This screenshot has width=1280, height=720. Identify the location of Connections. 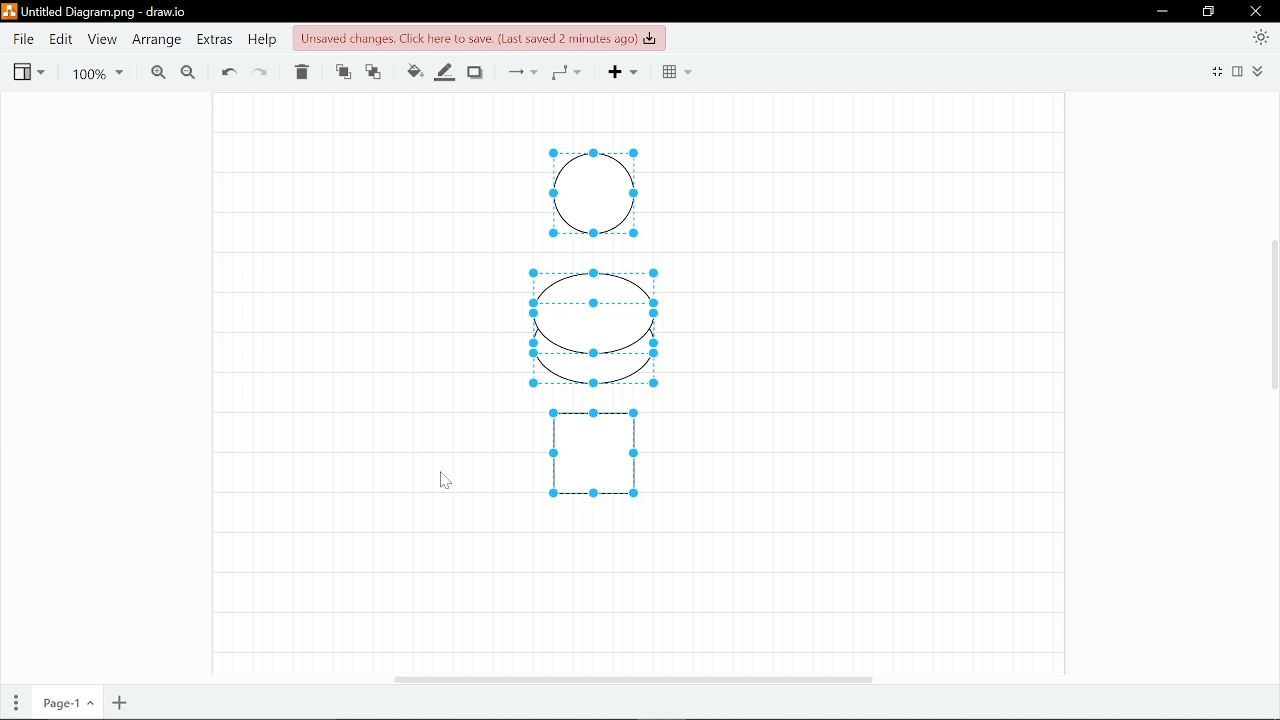
(518, 71).